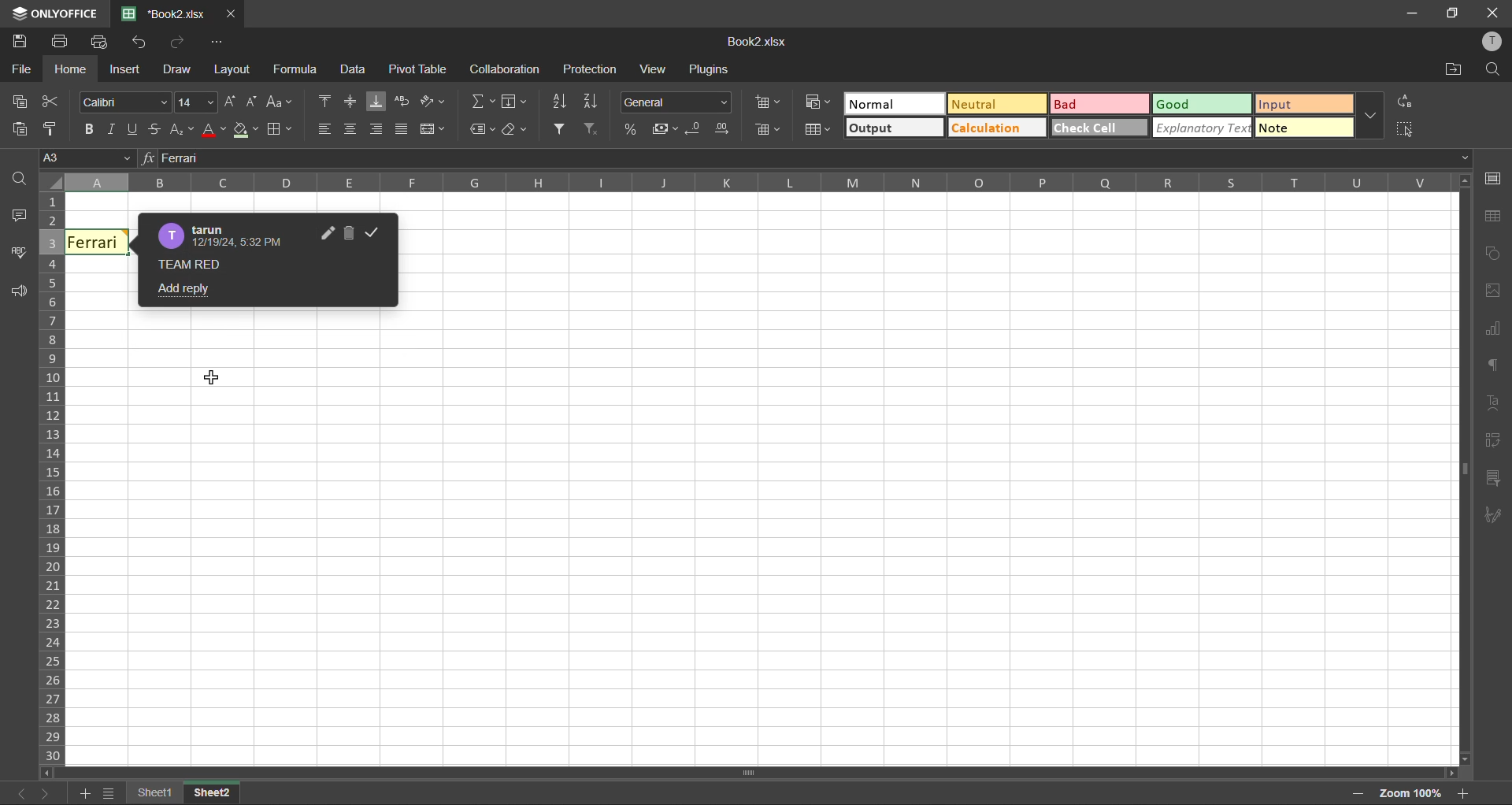 This screenshot has width=1512, height=805. I want to click on align middle, so click(350, 102).